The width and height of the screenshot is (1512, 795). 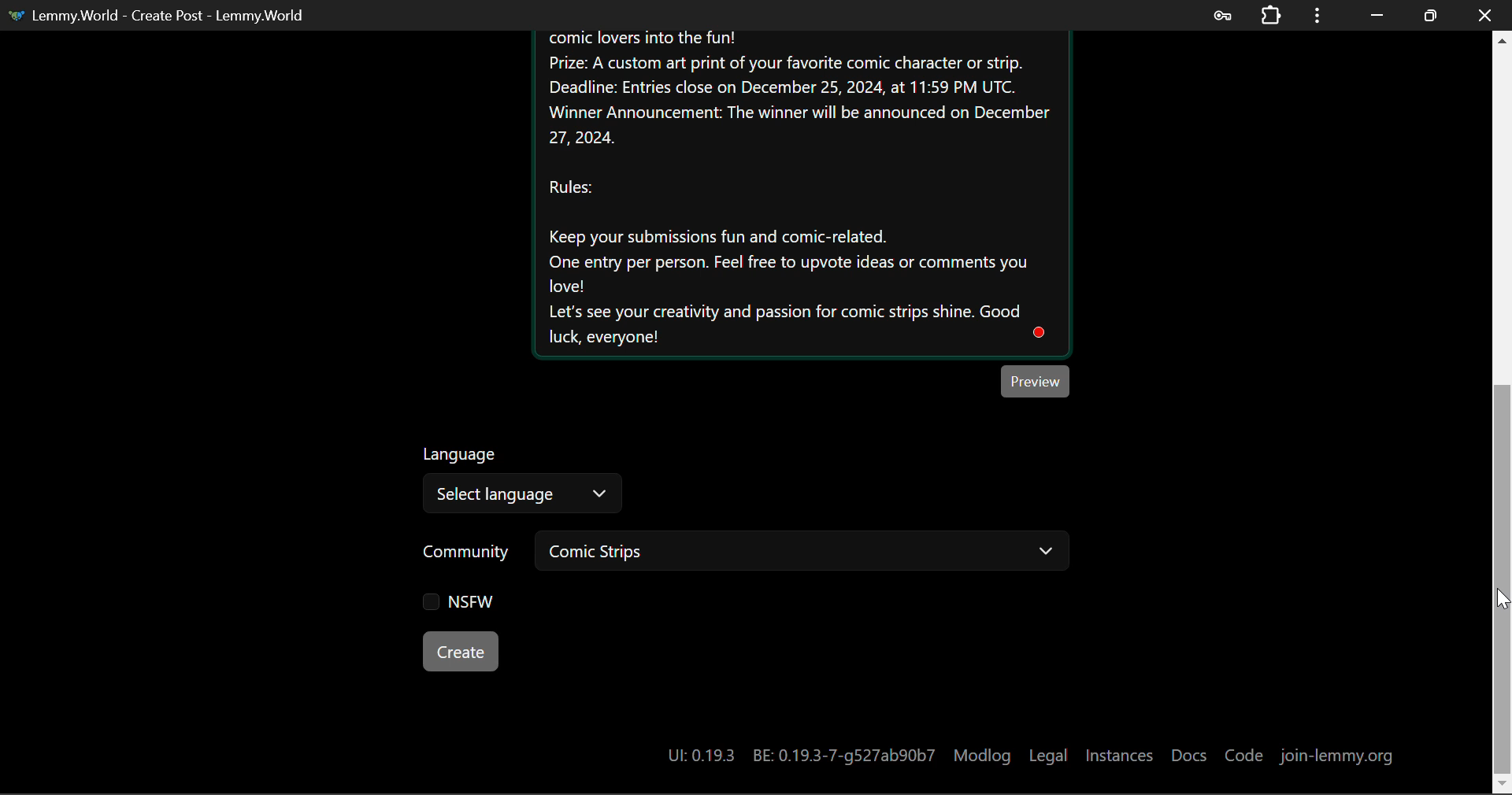 I want to click on Extensions, so click(x=1270, y=15).